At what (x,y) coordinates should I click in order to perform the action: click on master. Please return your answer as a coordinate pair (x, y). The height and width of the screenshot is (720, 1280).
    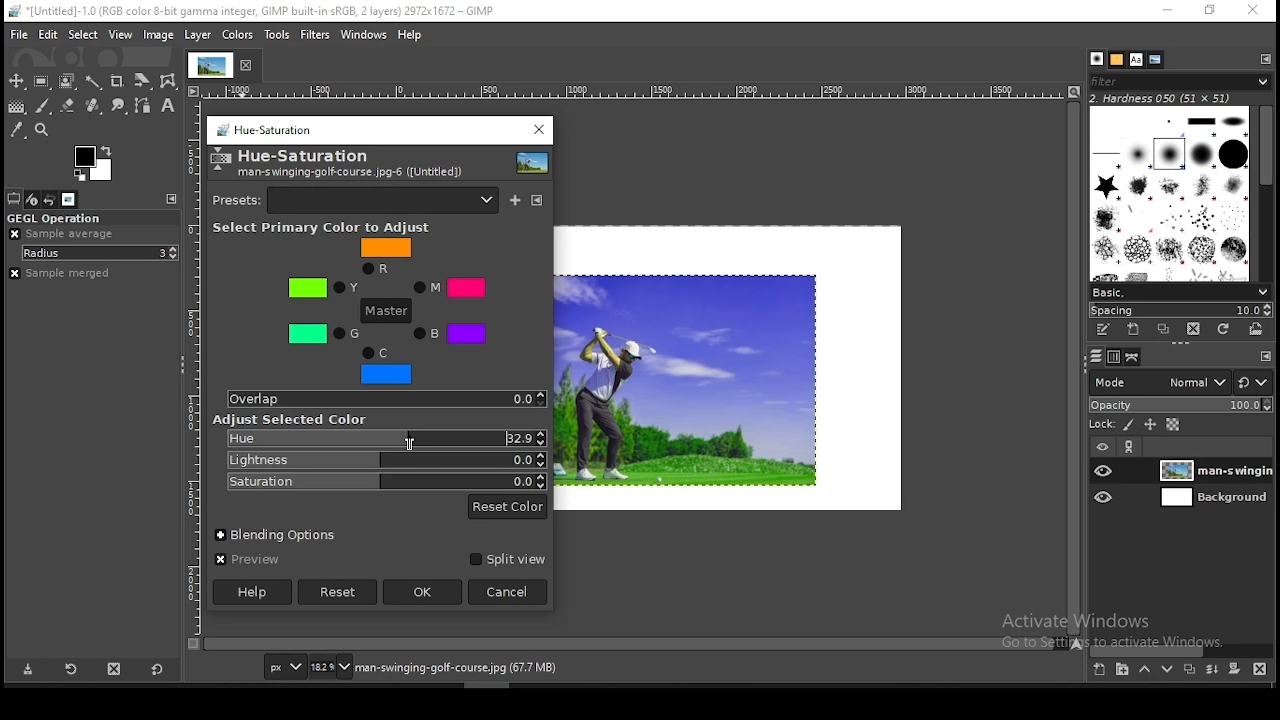
    Looking at the image, I should click on (387, 311).